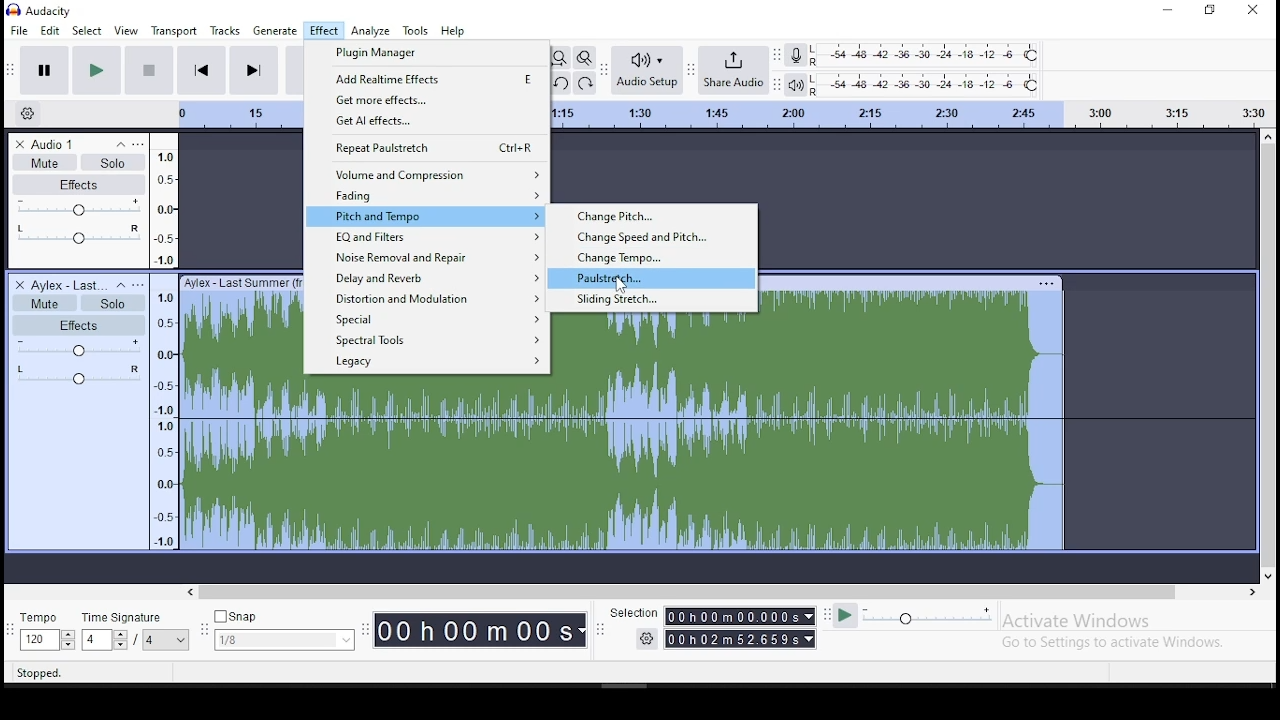  I want to click on scale, so click(239, 115).